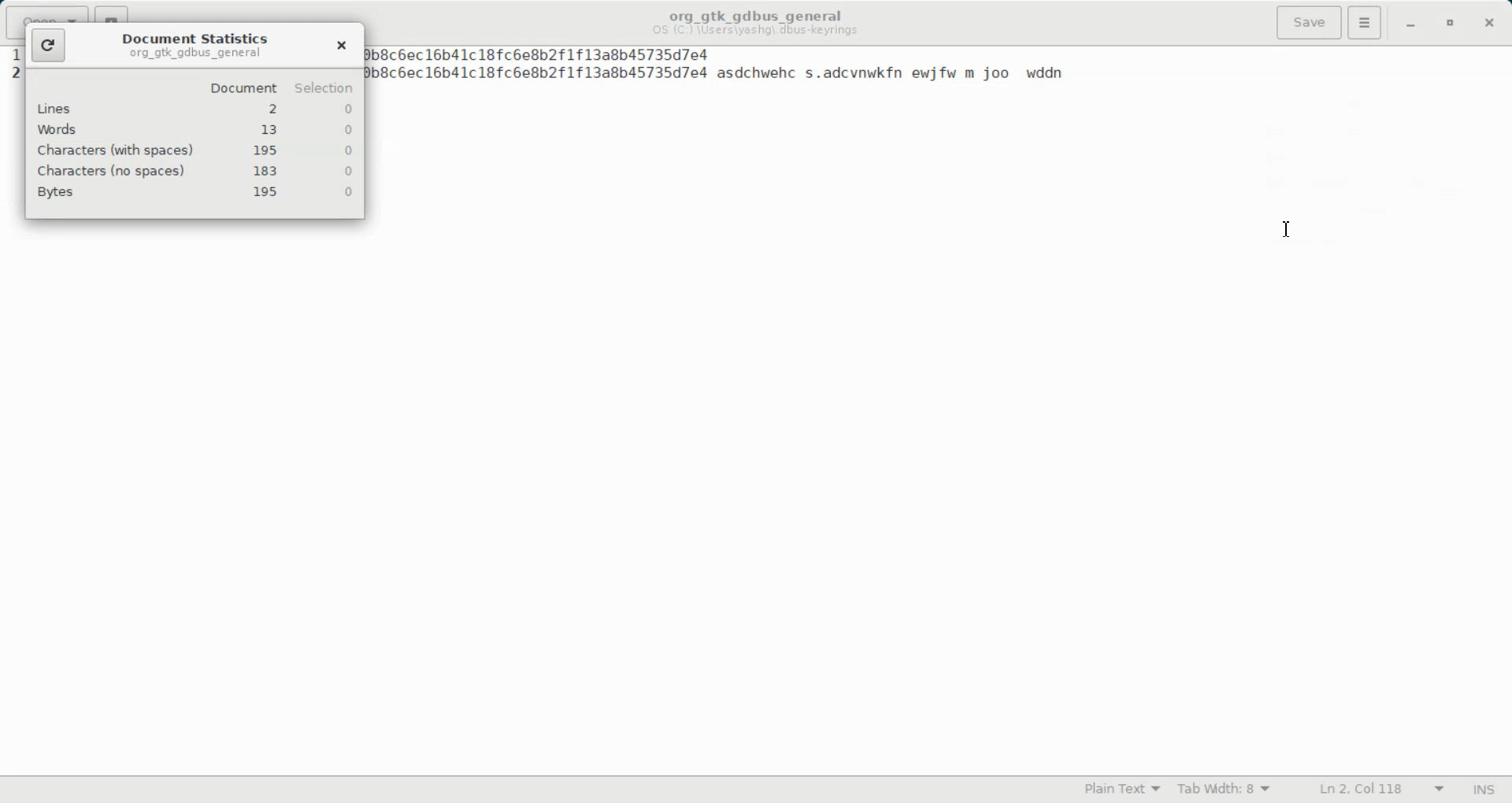 This screenshot has width=1512, height=803. What do you see at coordinates (269, 128) in the screenshot?
I see `13` at bounding box center [269, 128].